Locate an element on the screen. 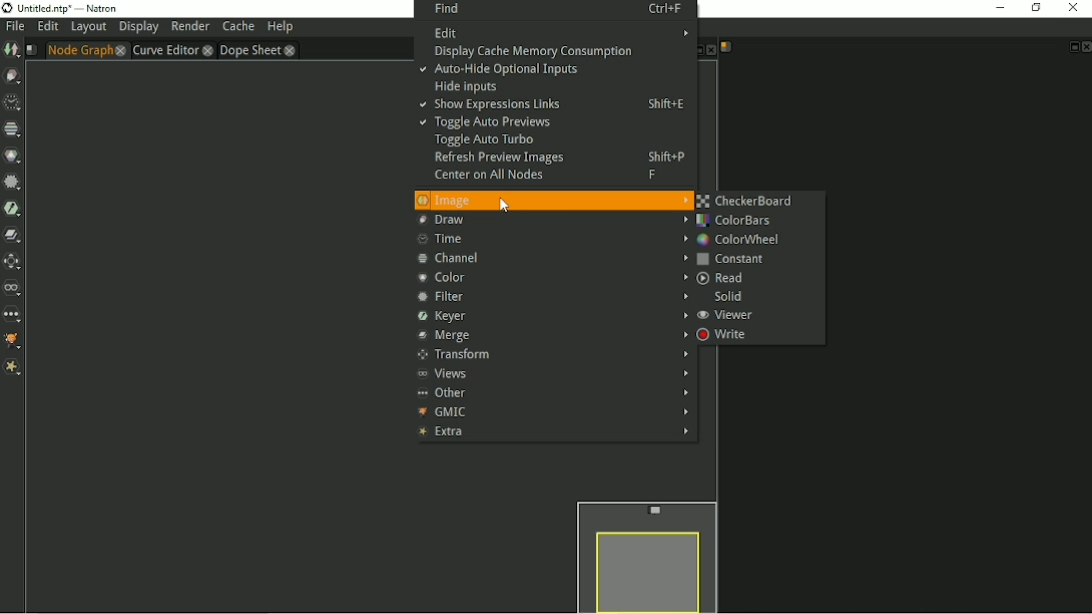  Edit is located at coordinates (558, 33).